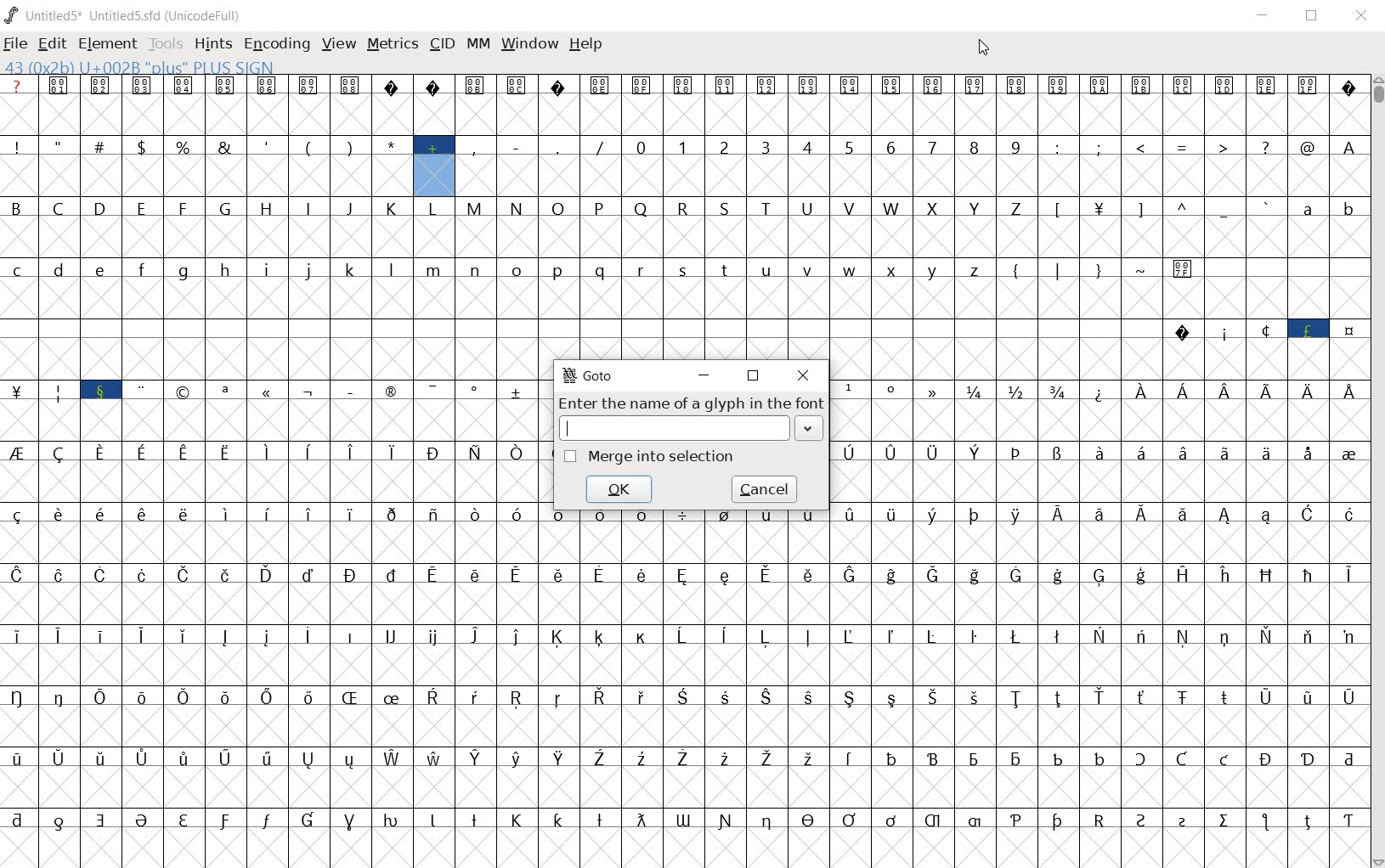 This screenshot has height=868, width=1385. I want to click on close, so click(802, 375).